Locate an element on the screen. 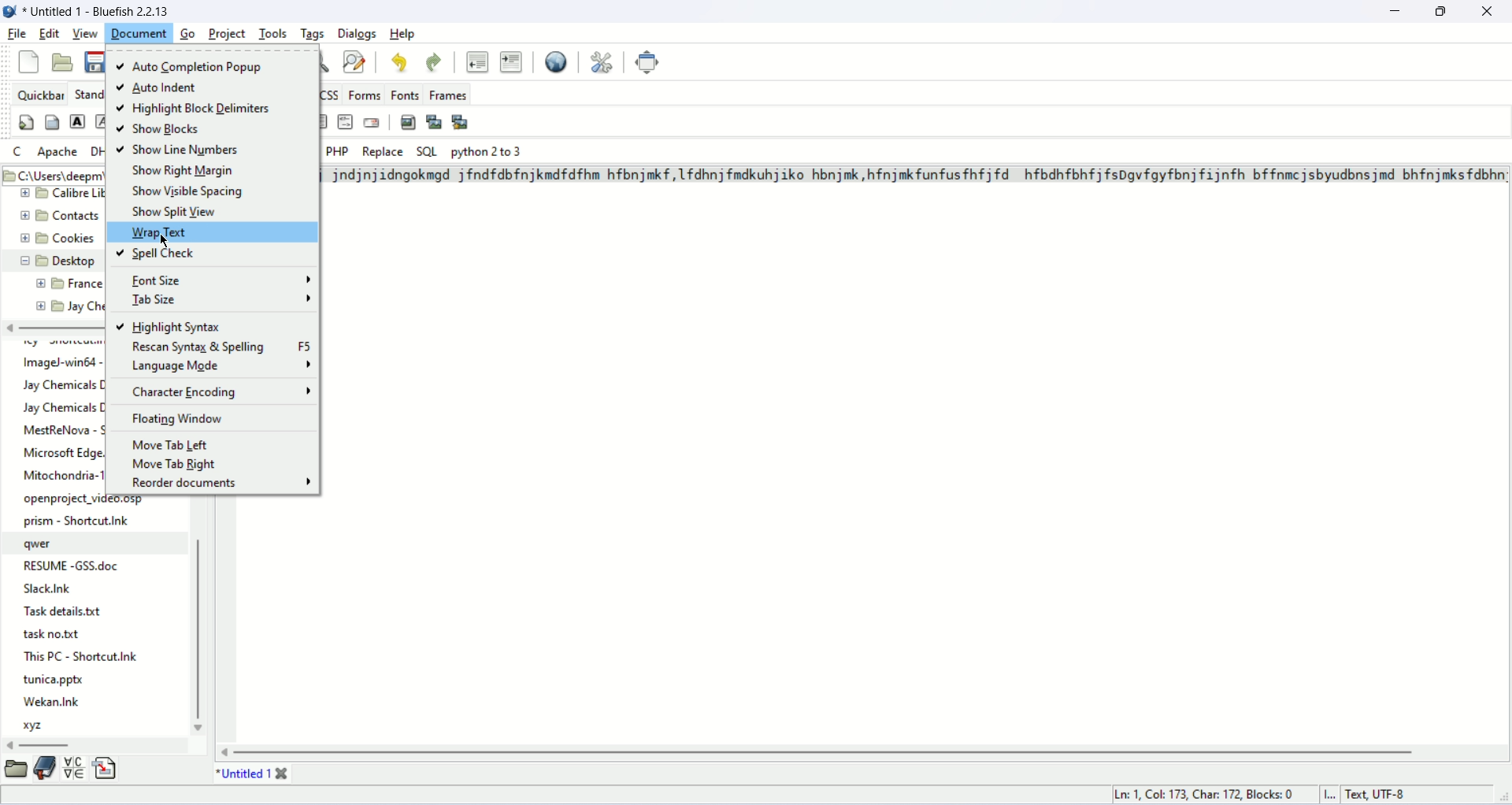 This screenshot has height=805, width=1512. email is located at coordinates (371, 122).